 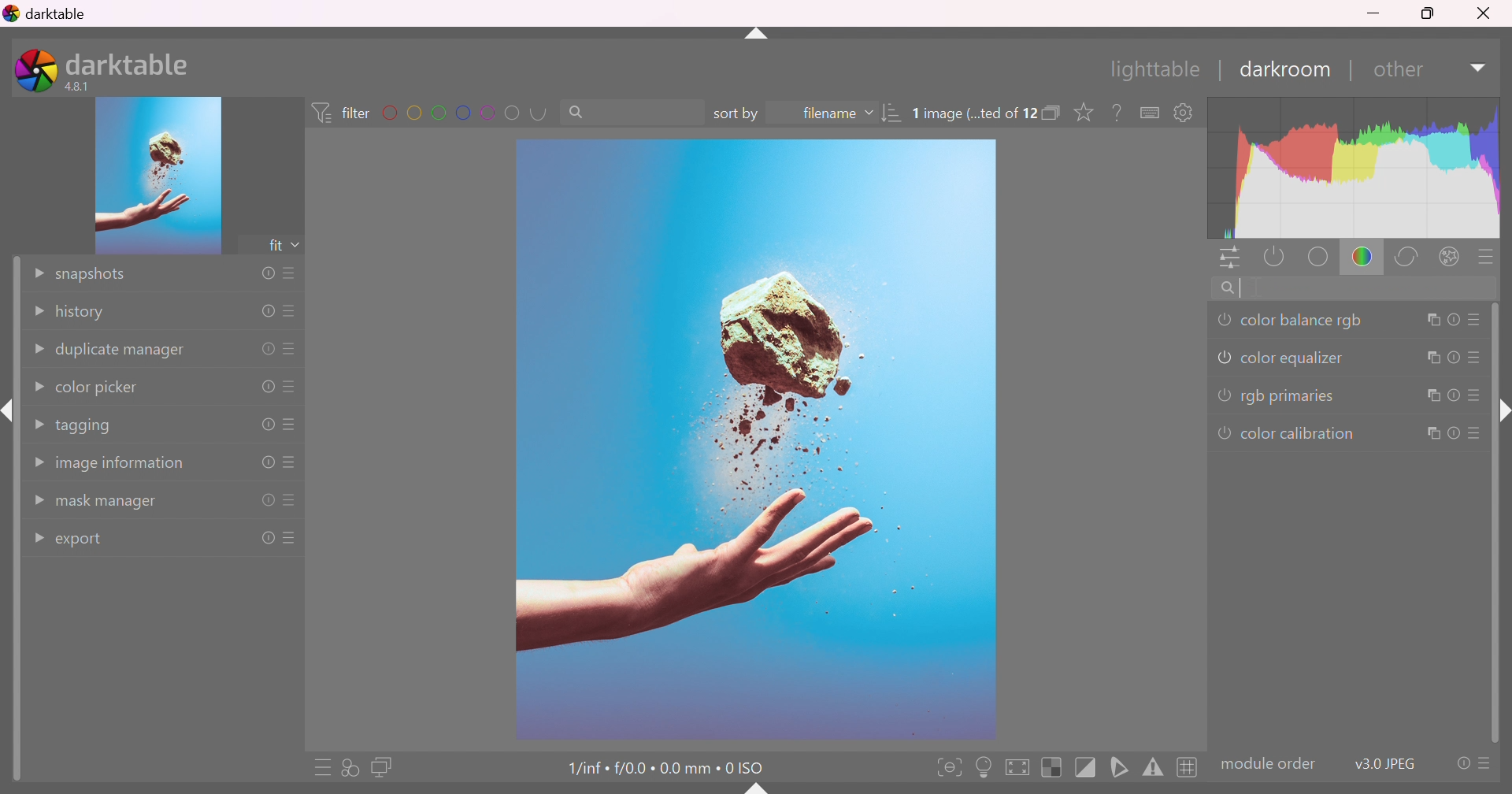 What do you see at coordinates (1386, 762) in the screenshot?
I see `v3.0 JPEG` at bounding box center [1386, 762].